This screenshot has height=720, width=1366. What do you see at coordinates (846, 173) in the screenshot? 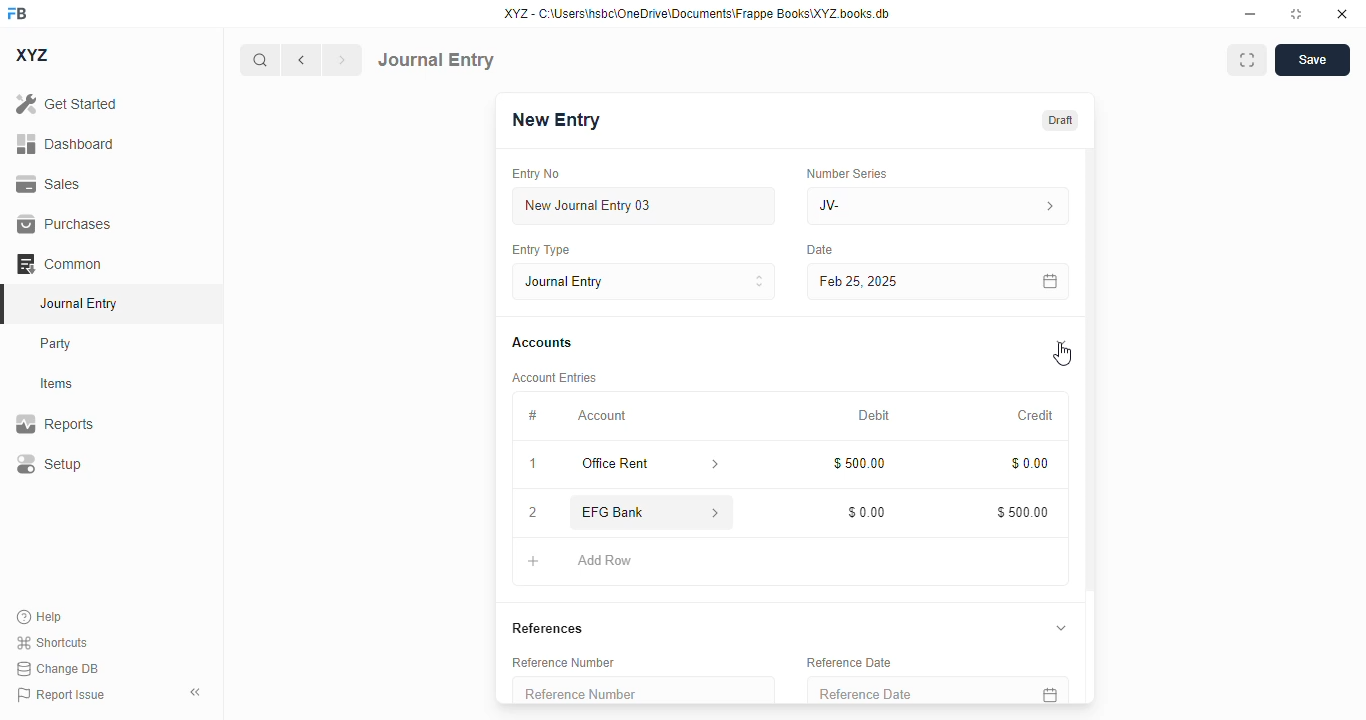
I see `number series` at bounding box center [846, 173].